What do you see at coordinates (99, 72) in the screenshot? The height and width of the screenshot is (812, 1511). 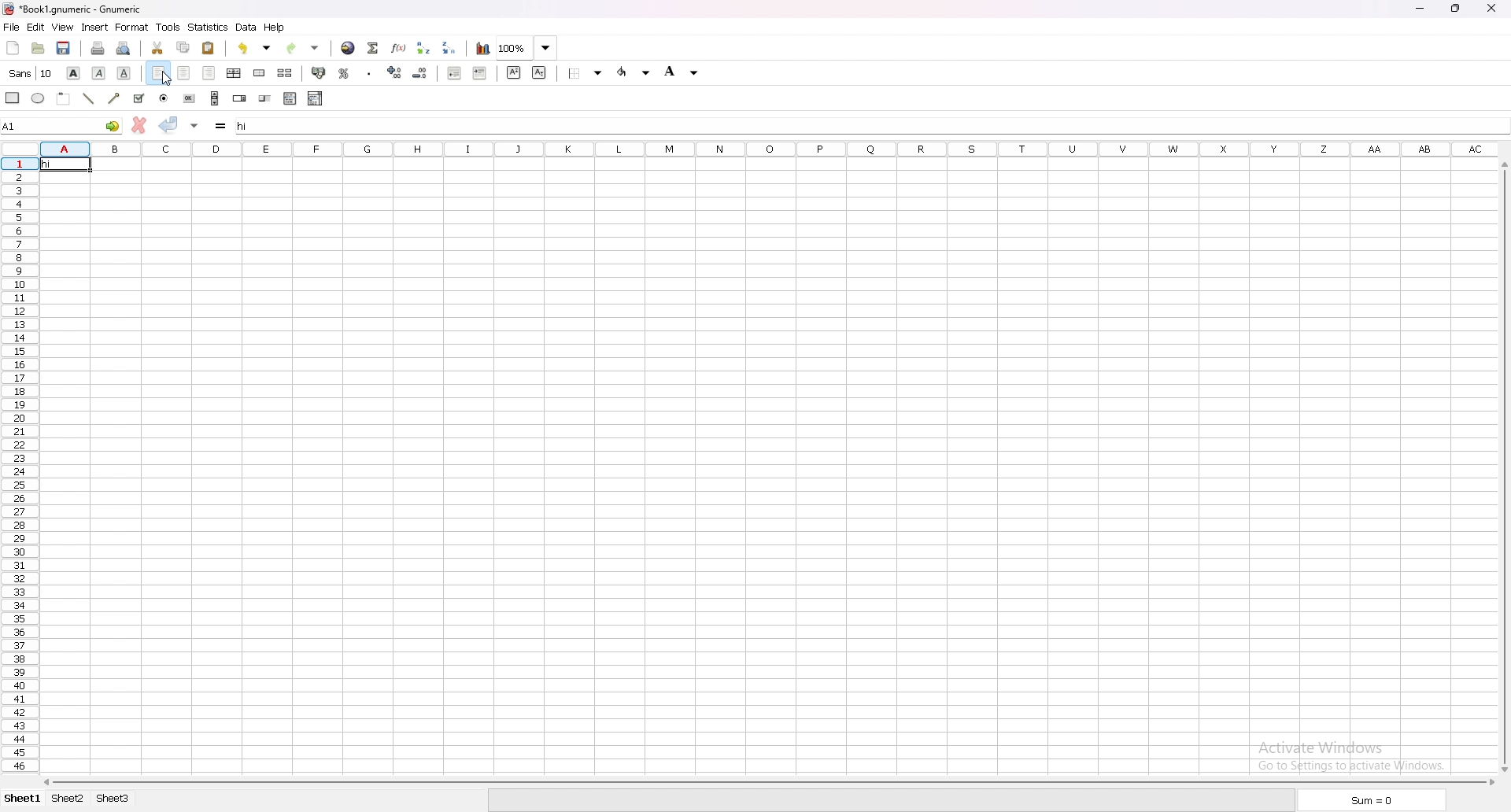 I see `italic` at bounding box center [99, 72].